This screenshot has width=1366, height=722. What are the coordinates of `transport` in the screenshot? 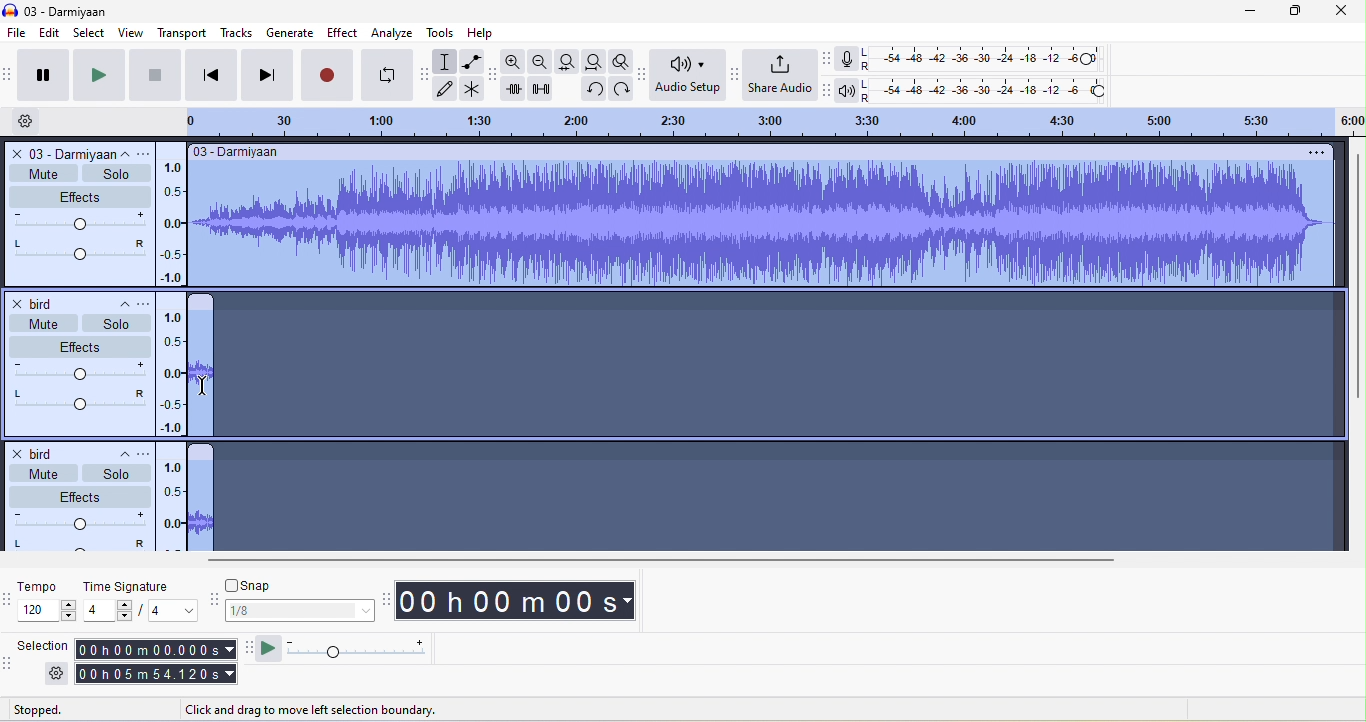 It's located at (178, 33).